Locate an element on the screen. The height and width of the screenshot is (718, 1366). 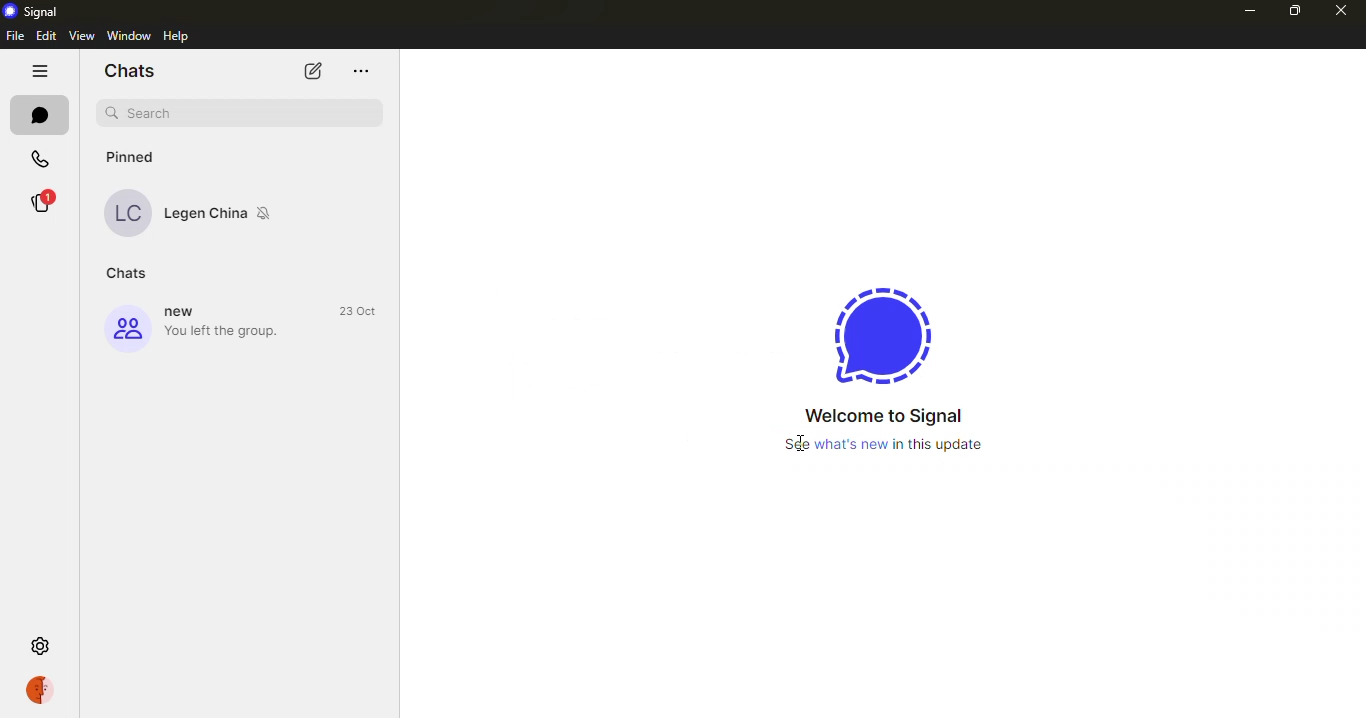
Legen China is located at coordinates (206, 212).